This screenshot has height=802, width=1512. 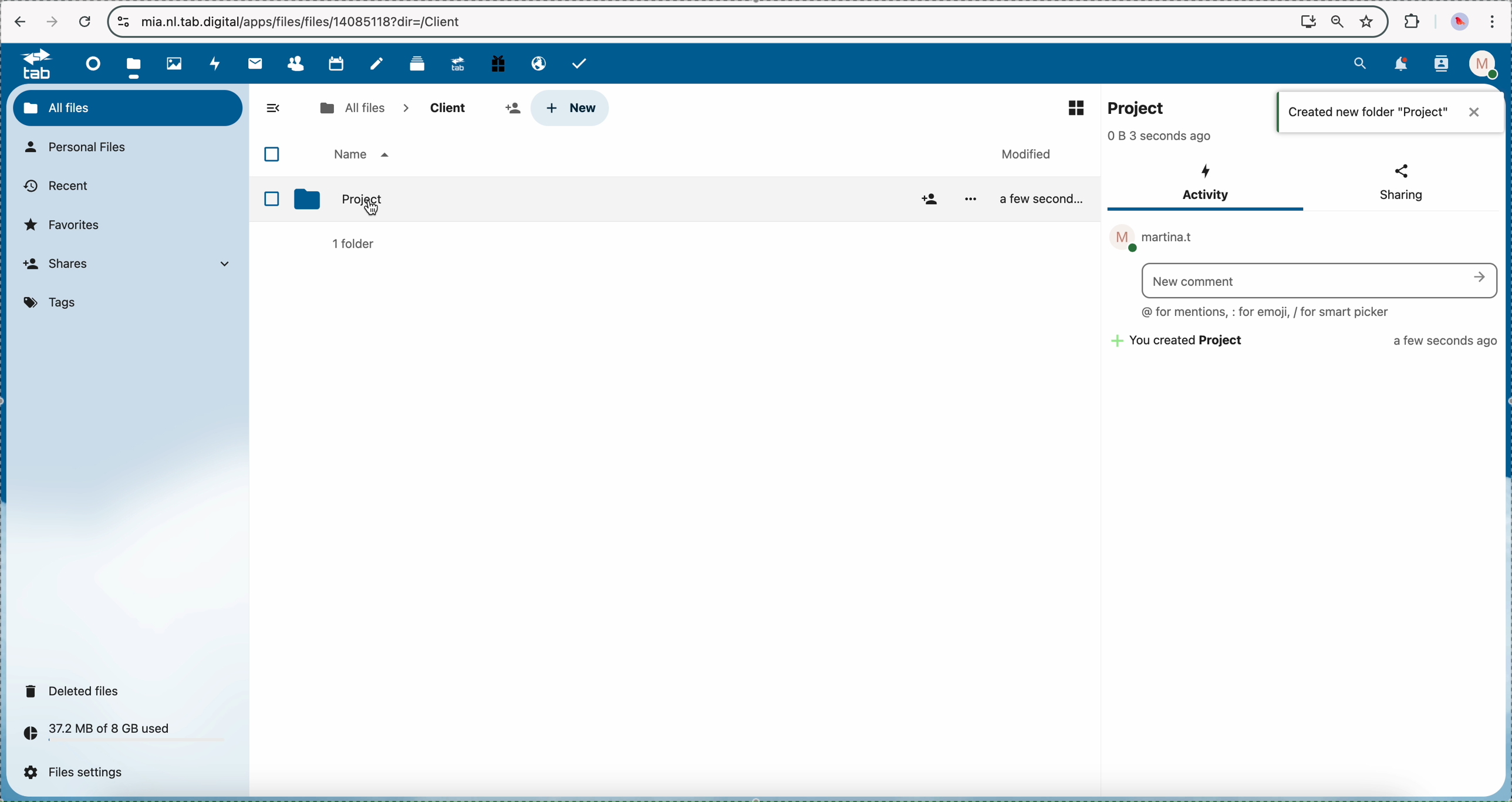 I want to click on 4
Activity, so click(x=1203, y=180).